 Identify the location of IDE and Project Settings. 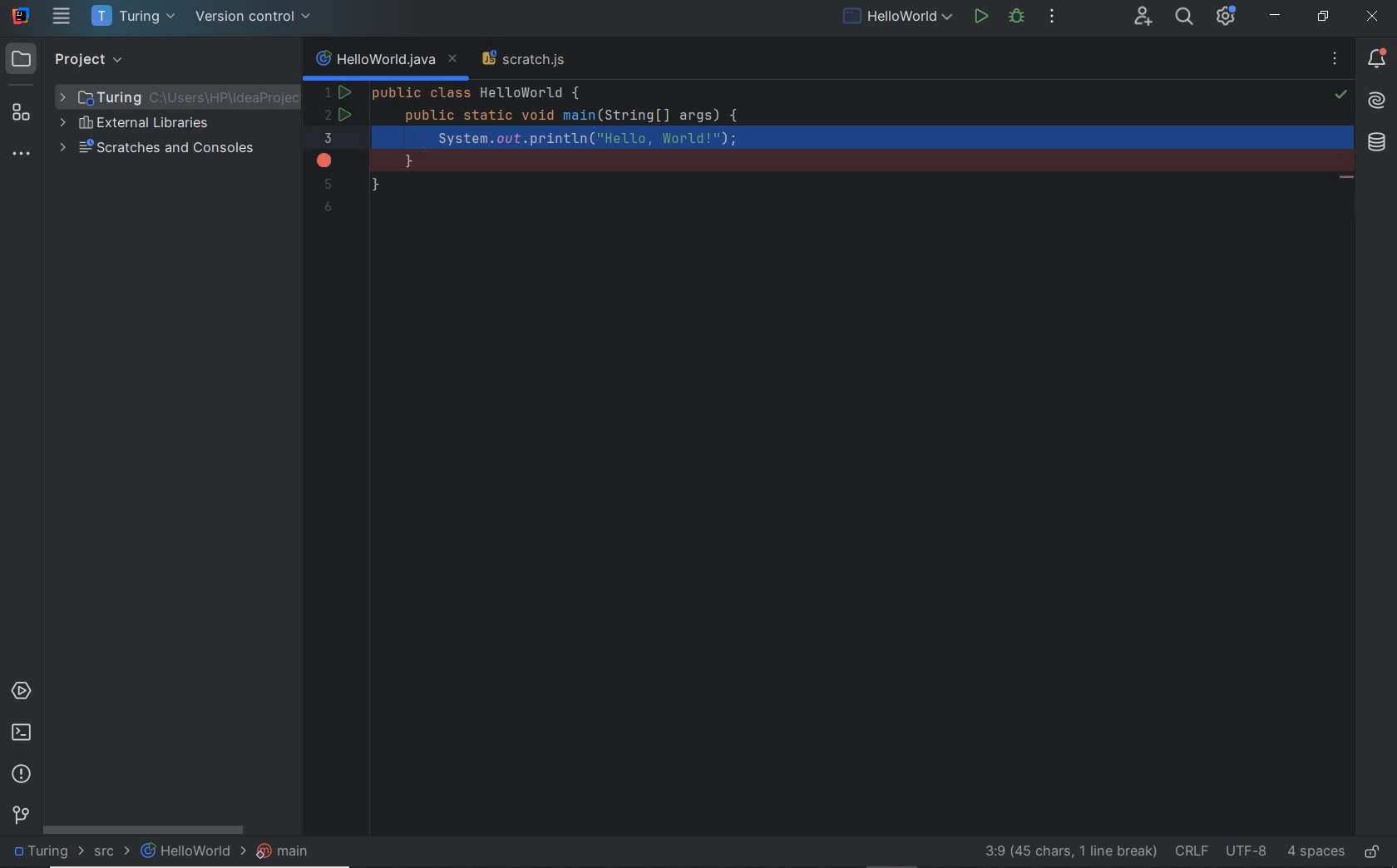
(1228, 15).